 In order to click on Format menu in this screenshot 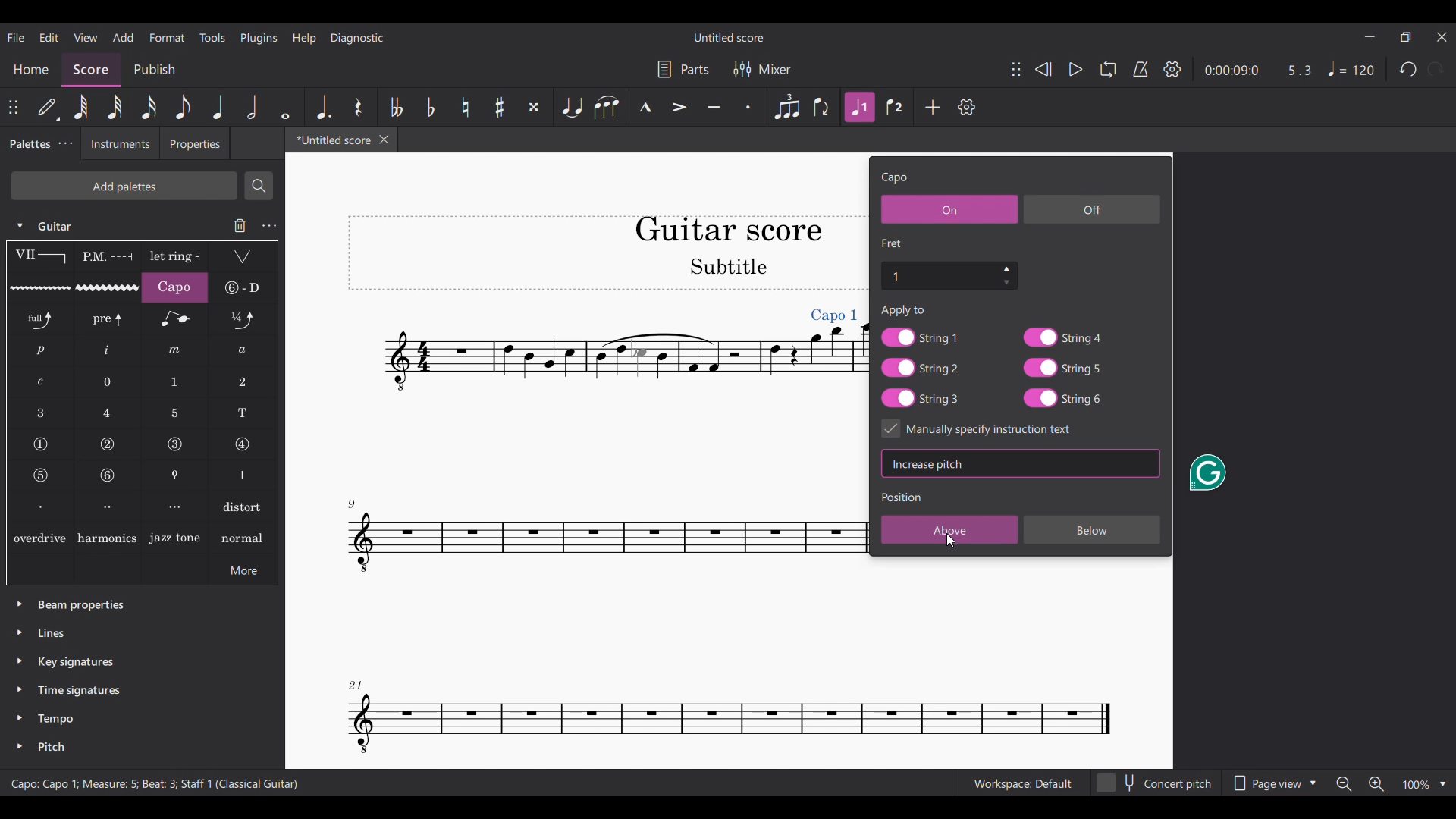, I will do `click(167, 37)`.